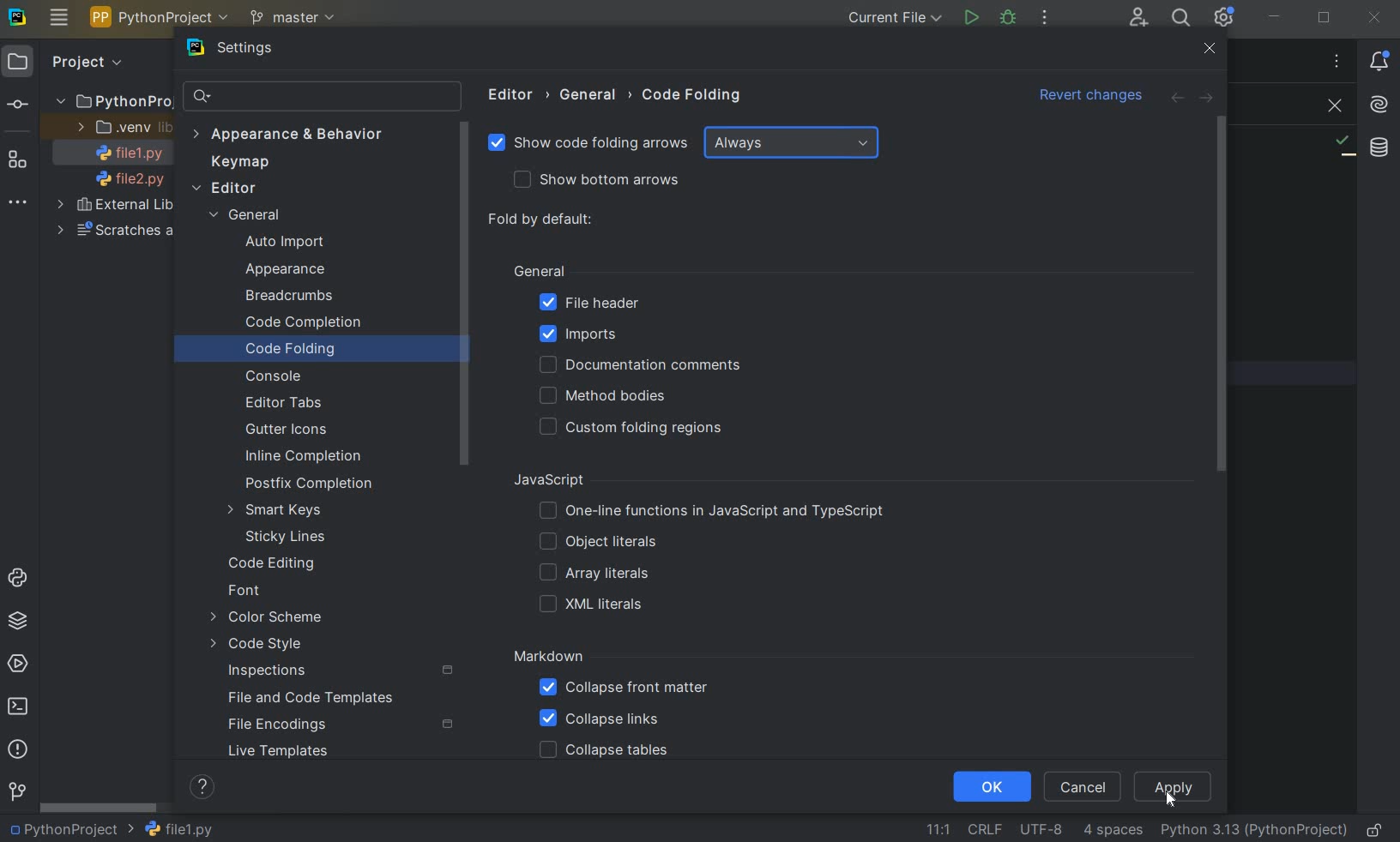  What do you see at coordinates (301, 271) in the screenshot?
I see `APPEARANCE` at bounding box center [301, 271].